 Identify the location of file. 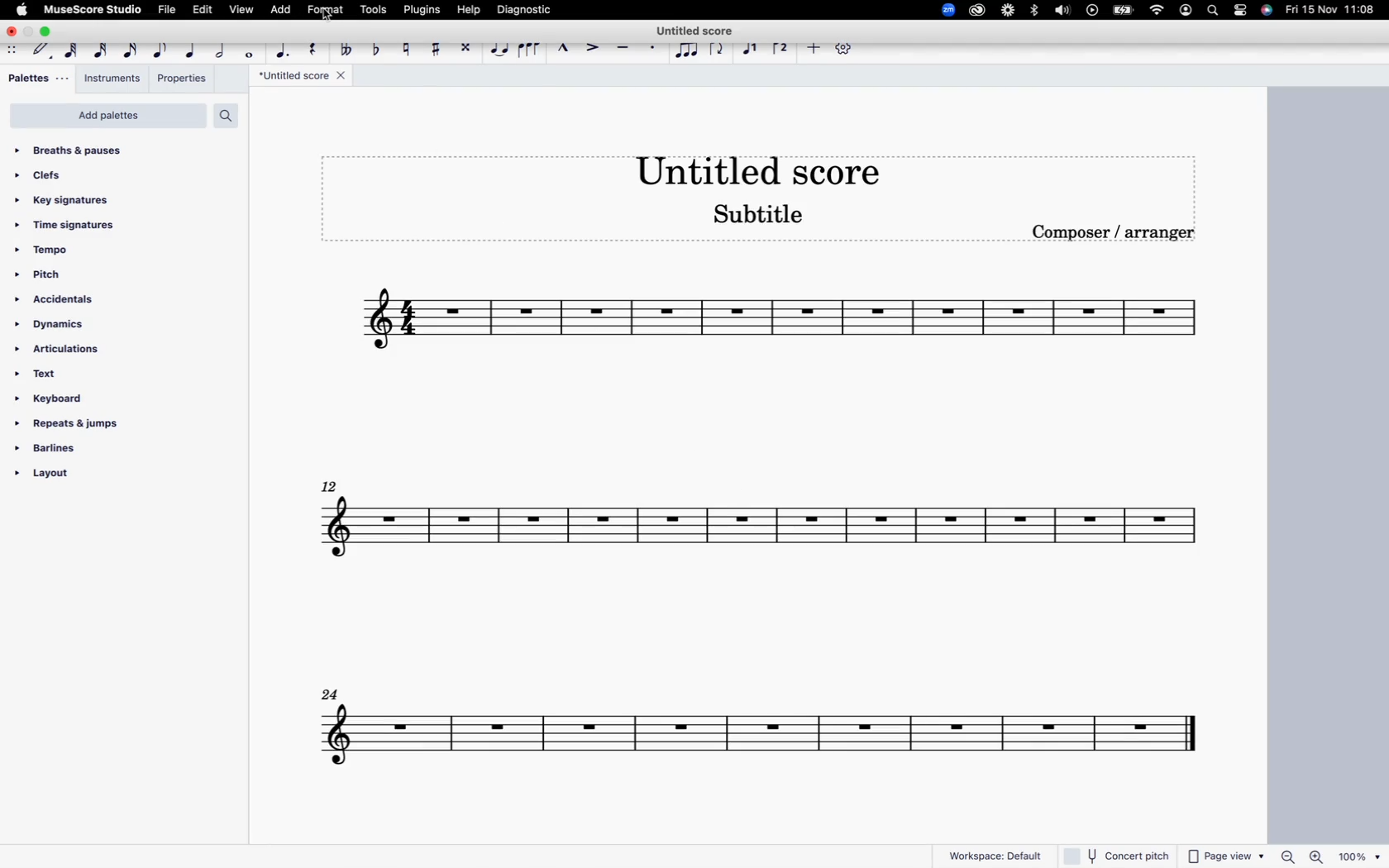
(168, 11).